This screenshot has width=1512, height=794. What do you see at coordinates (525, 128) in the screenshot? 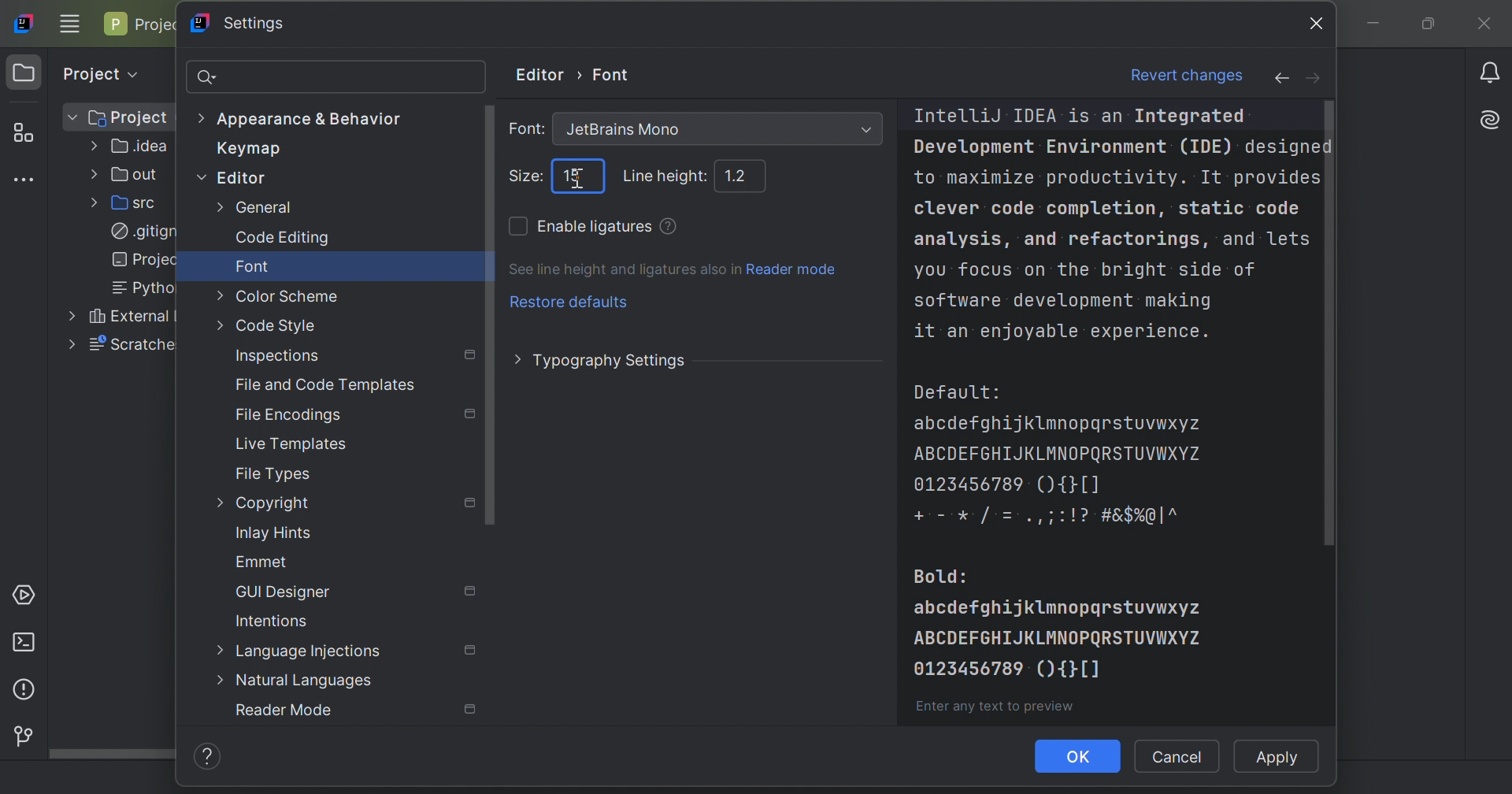
I see `Font:` at bounding box center [525, 128].